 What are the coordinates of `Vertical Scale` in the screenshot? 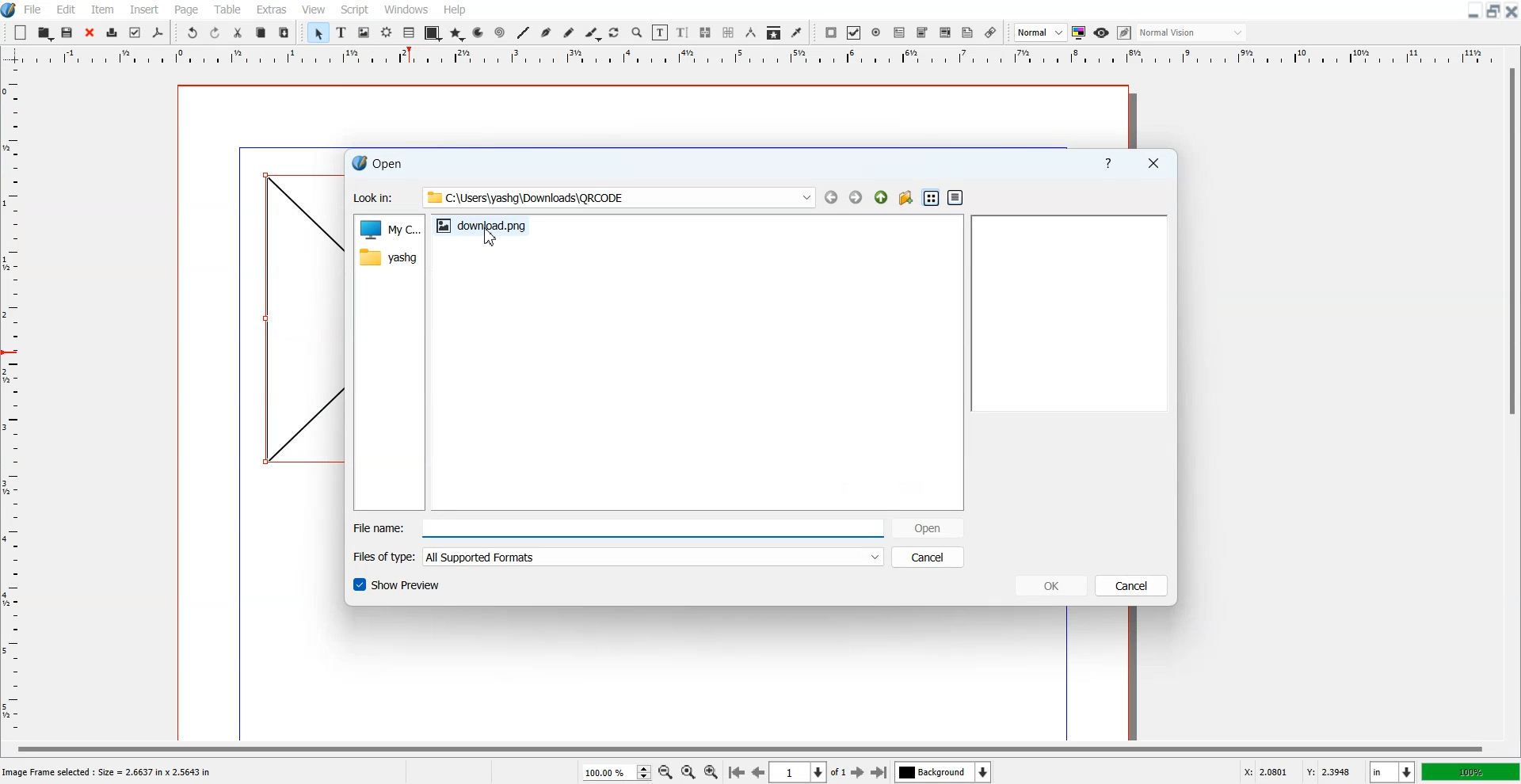 It's located at (760, 57).